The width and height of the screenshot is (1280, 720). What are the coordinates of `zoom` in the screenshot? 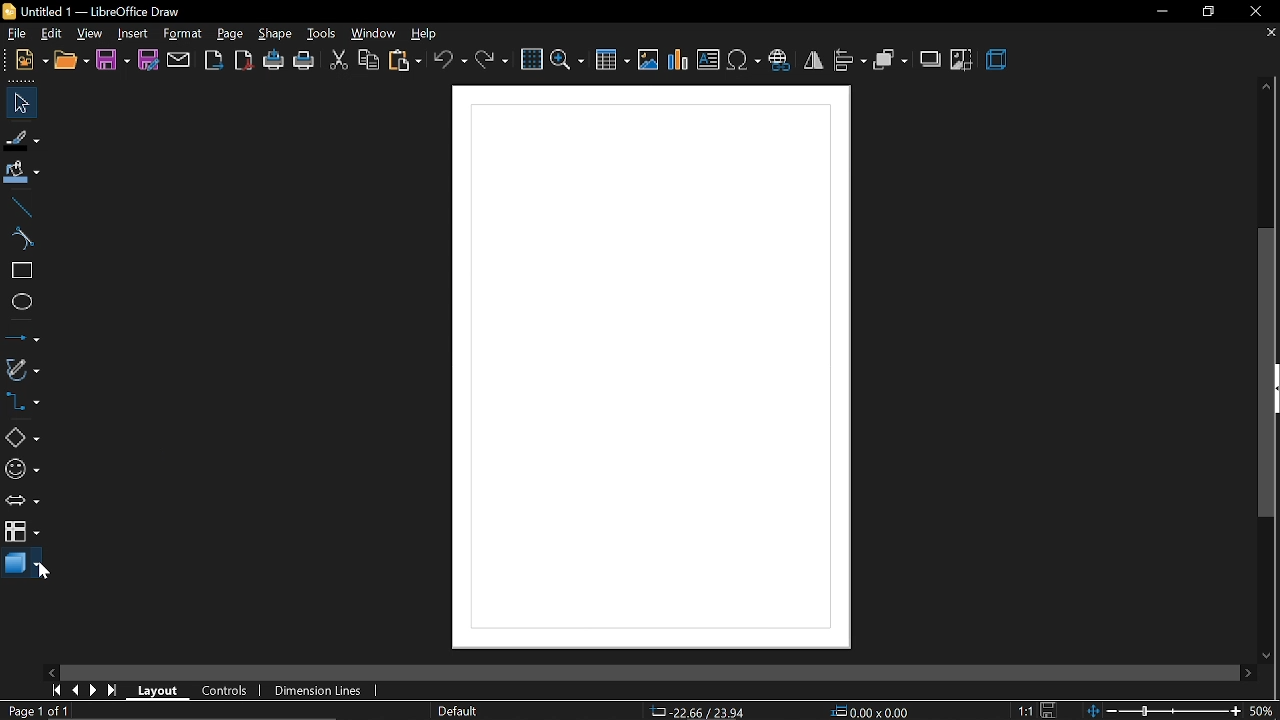 It's located at (567, 59).